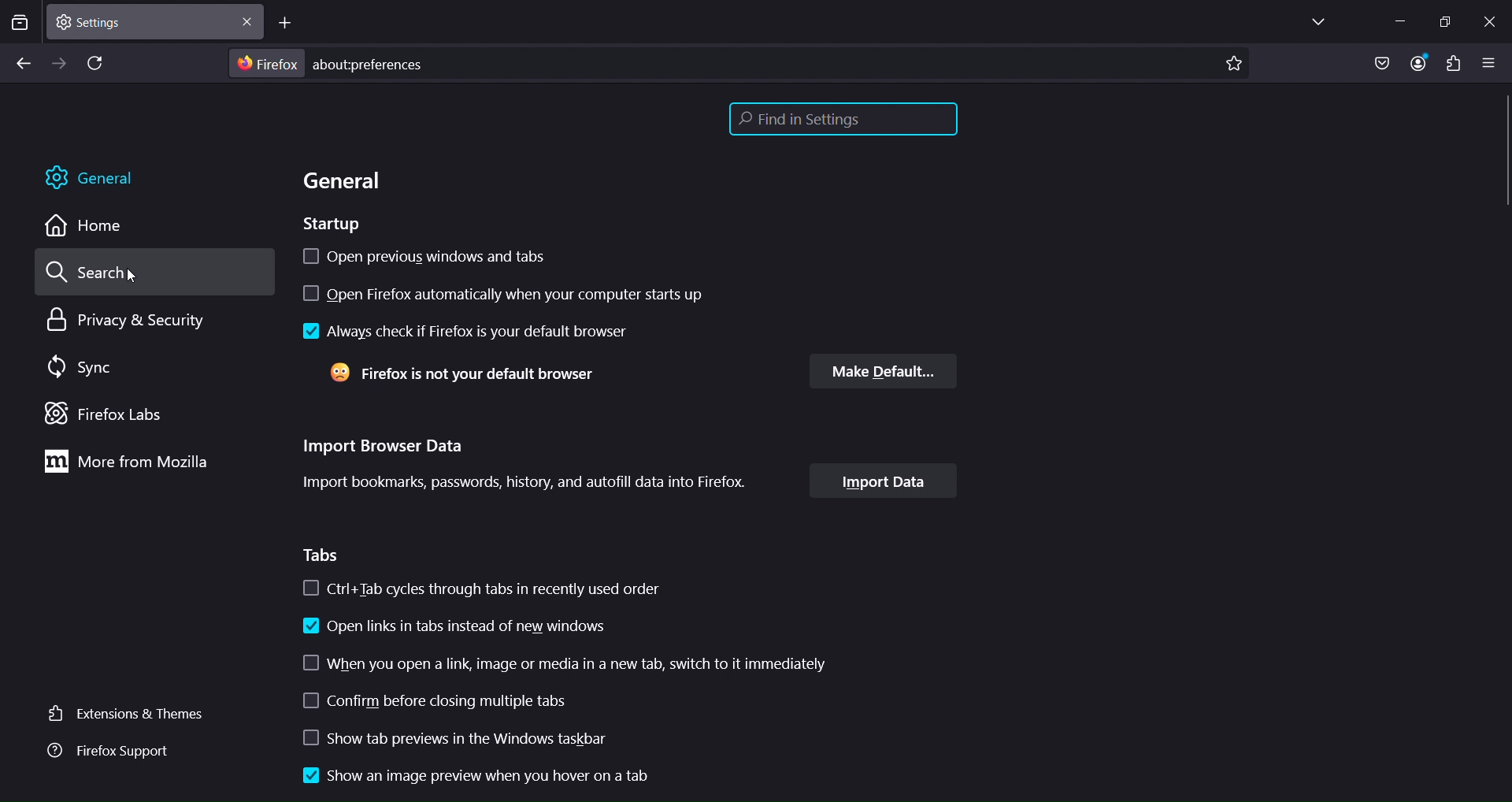 The height and width of the screenshot is (802, 1512). What do you see at coordinates (345, 184) in the screenshot?
I see `general` at bounding box center [345, 184].